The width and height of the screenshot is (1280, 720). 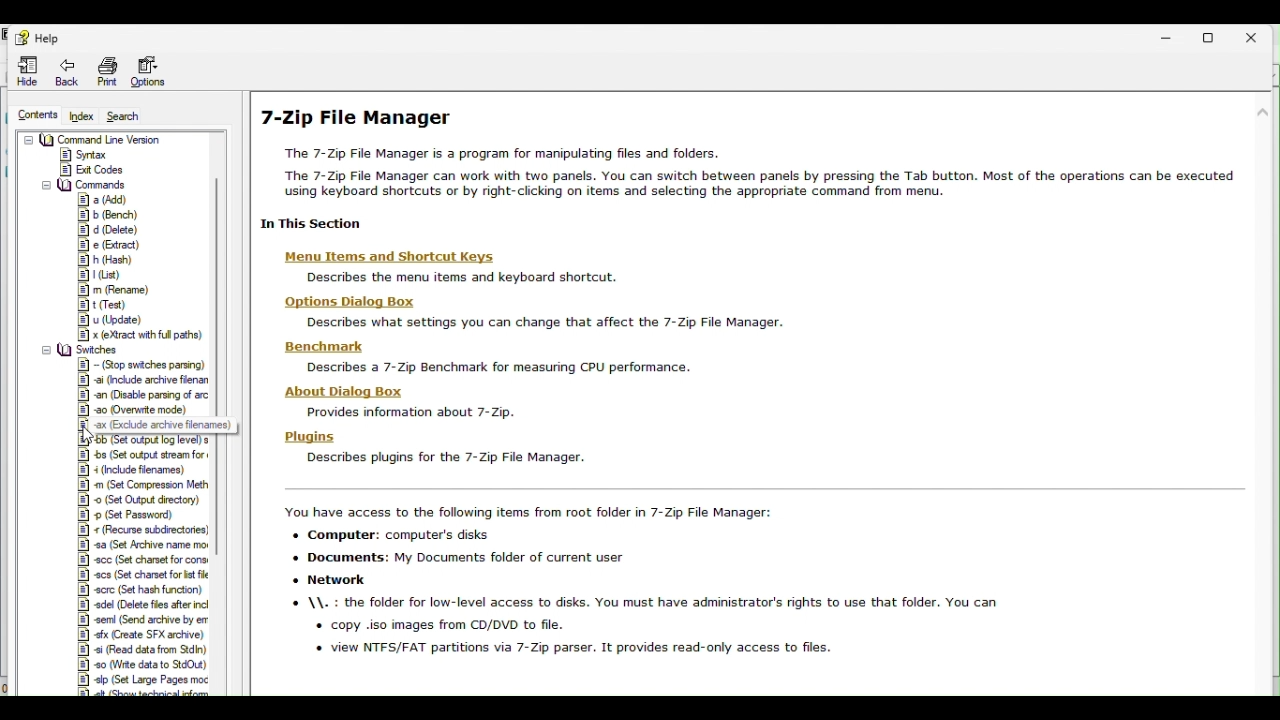 I want to click on §] m (Rename), so click(x=115, y=290).